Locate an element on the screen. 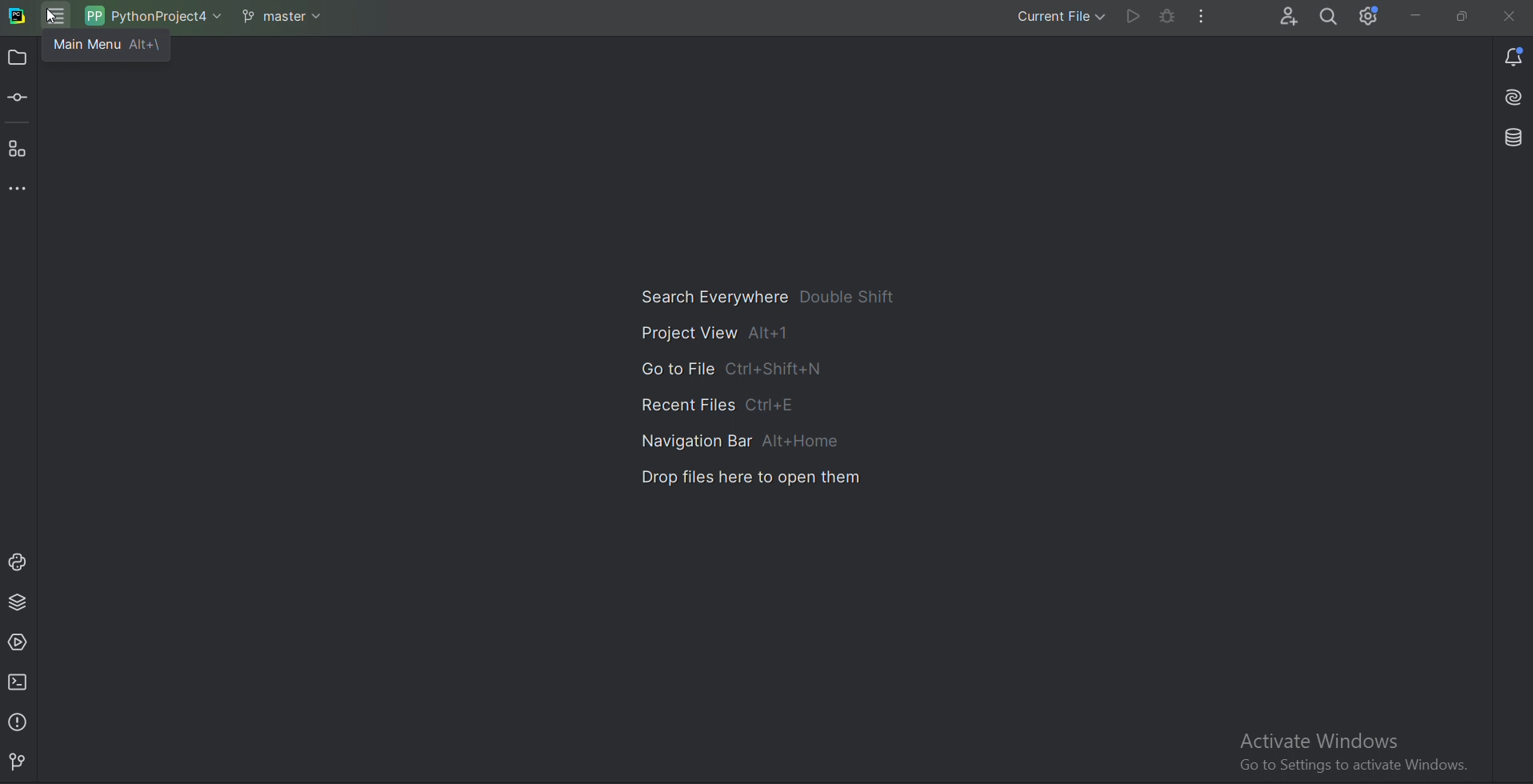 The image size is (1533, 784). Debug is located at coordinates (1167, 16).